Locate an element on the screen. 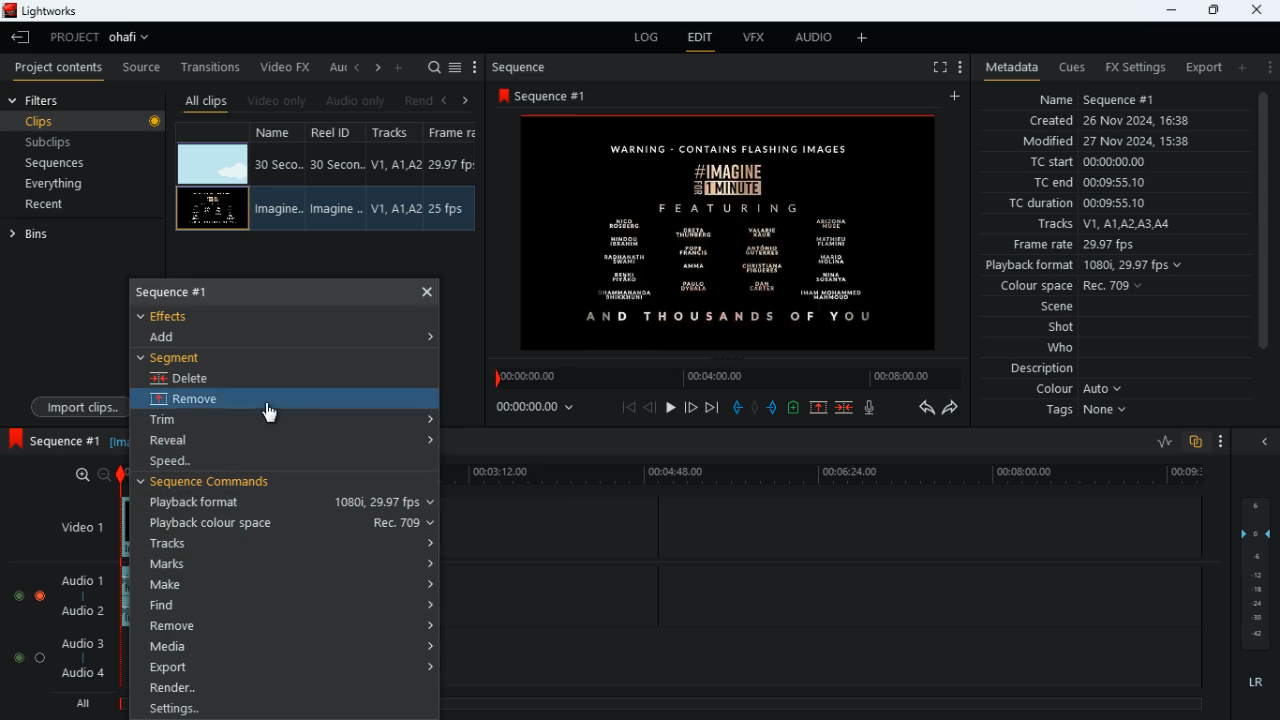  clips is located at coordinates (98, 122).